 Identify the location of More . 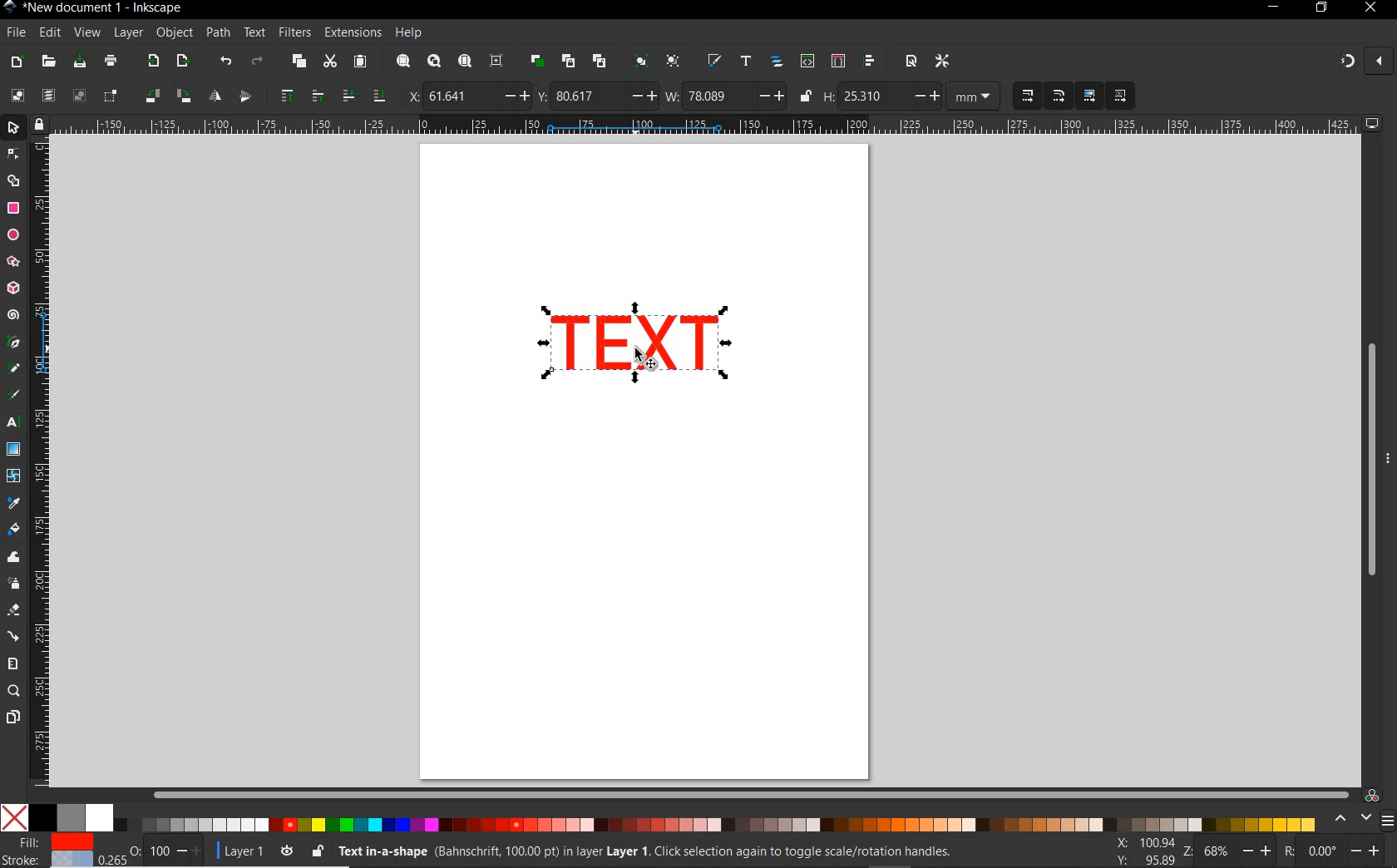
(1388, 465).